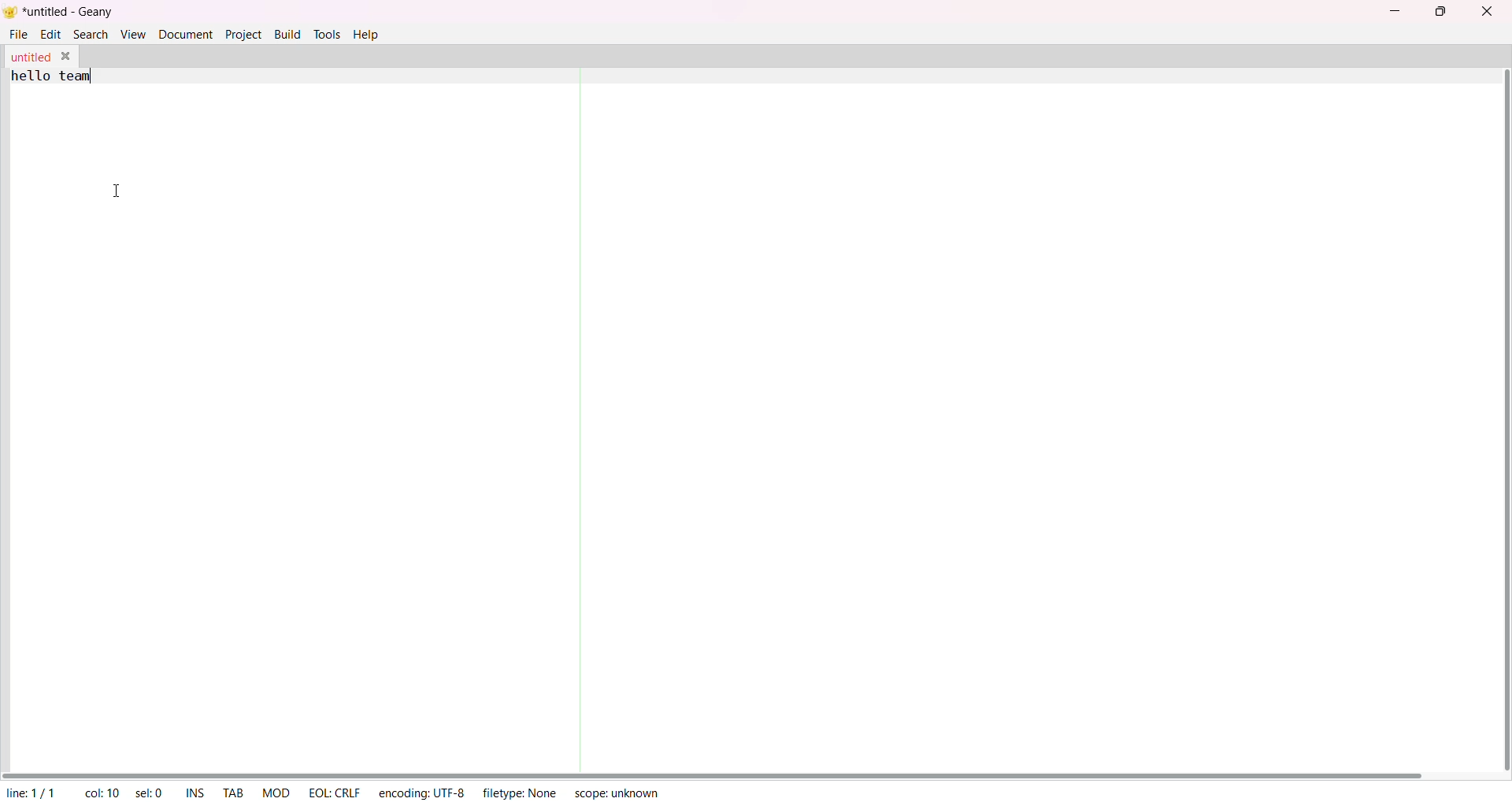 Image resolution: width=1512 pixels, height=802 pixels. I want to click on close, so click(1488, 14).